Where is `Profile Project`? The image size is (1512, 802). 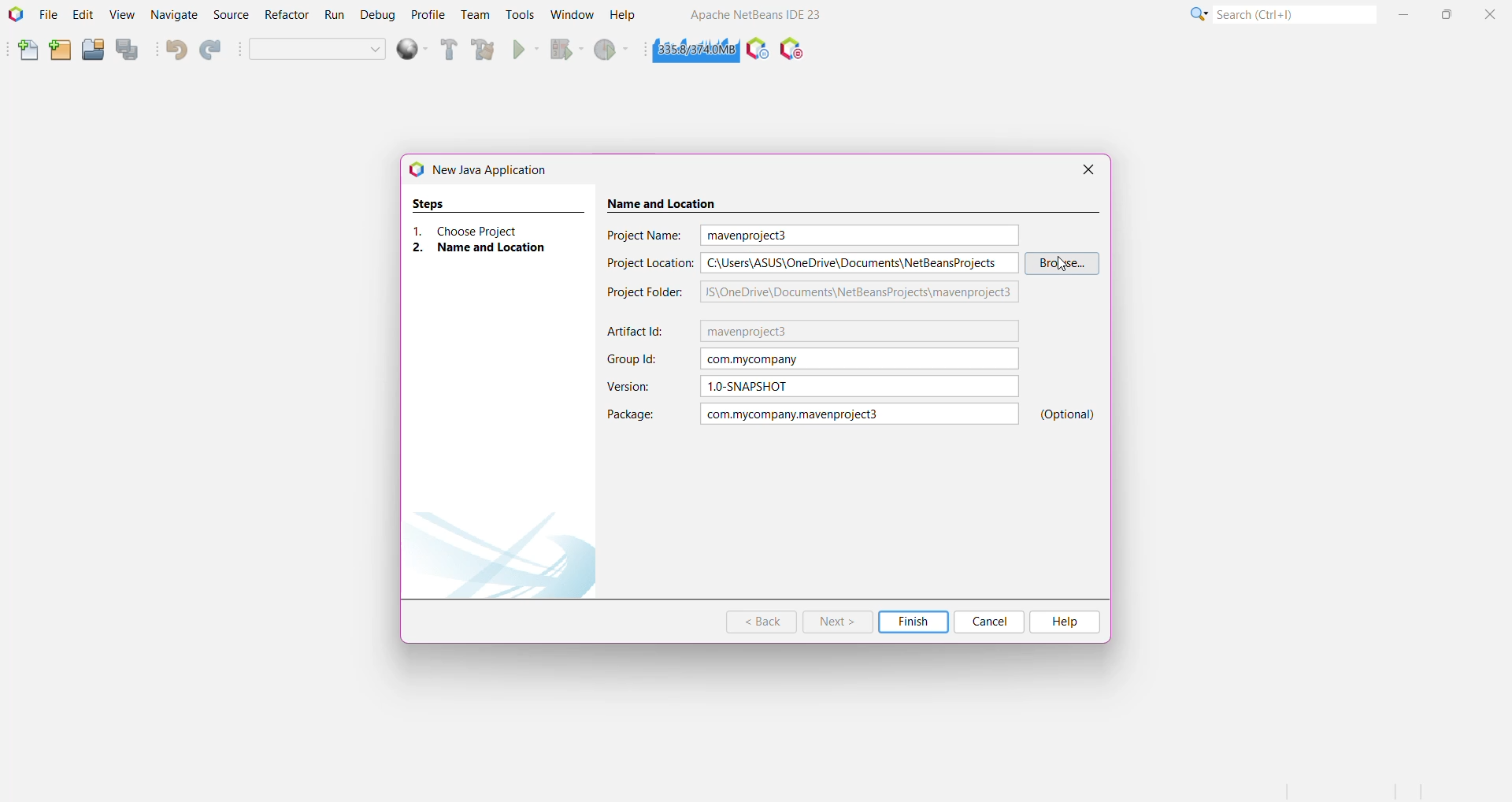
Profile Project is located at coordinates (613, 50).